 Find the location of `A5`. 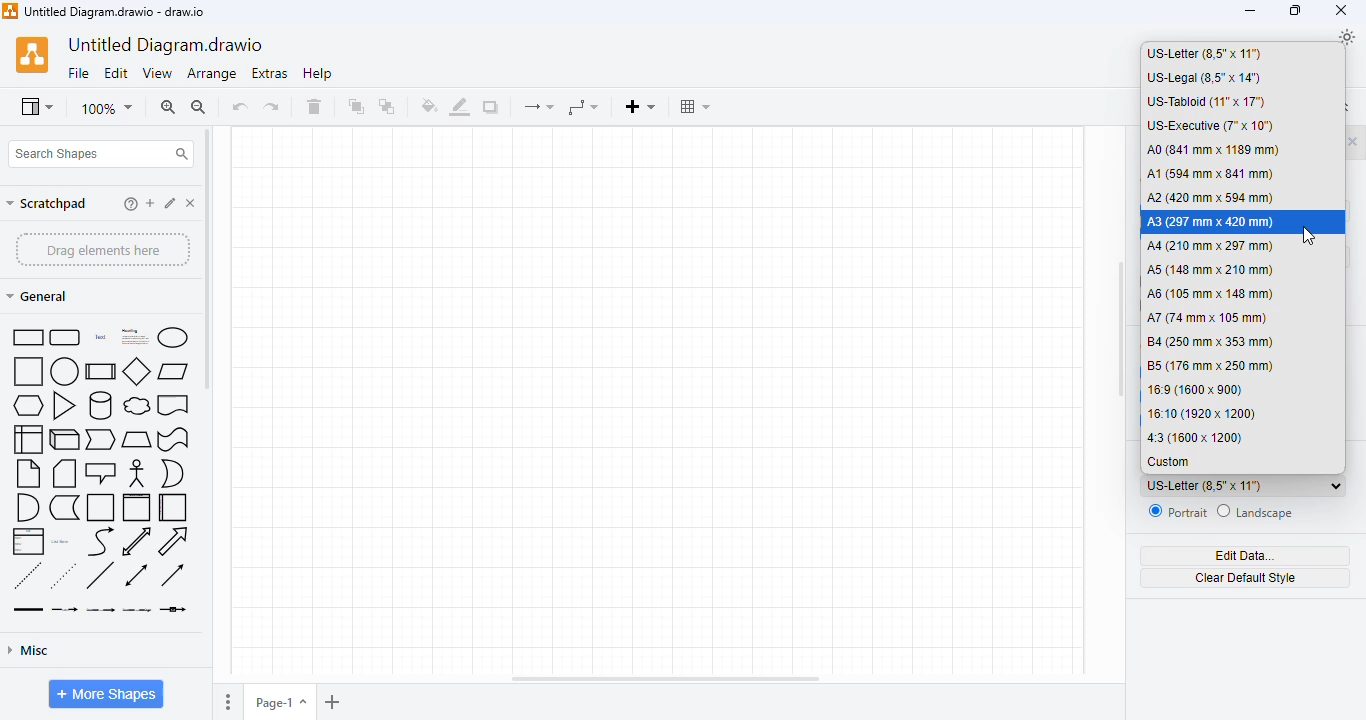

A5 is located at coordinates (1211, 271).